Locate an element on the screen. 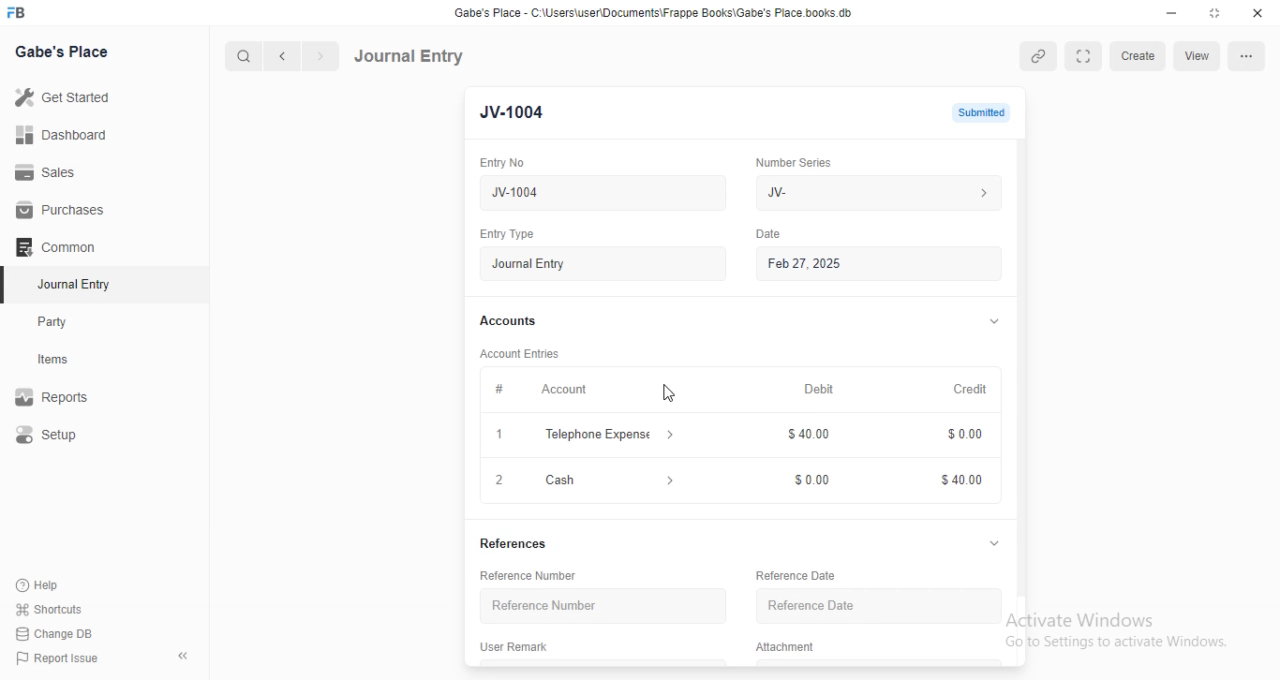 Image resolution: width=1280 pixels, height=680 pixels. 2 is located at coordinates (498, 480).